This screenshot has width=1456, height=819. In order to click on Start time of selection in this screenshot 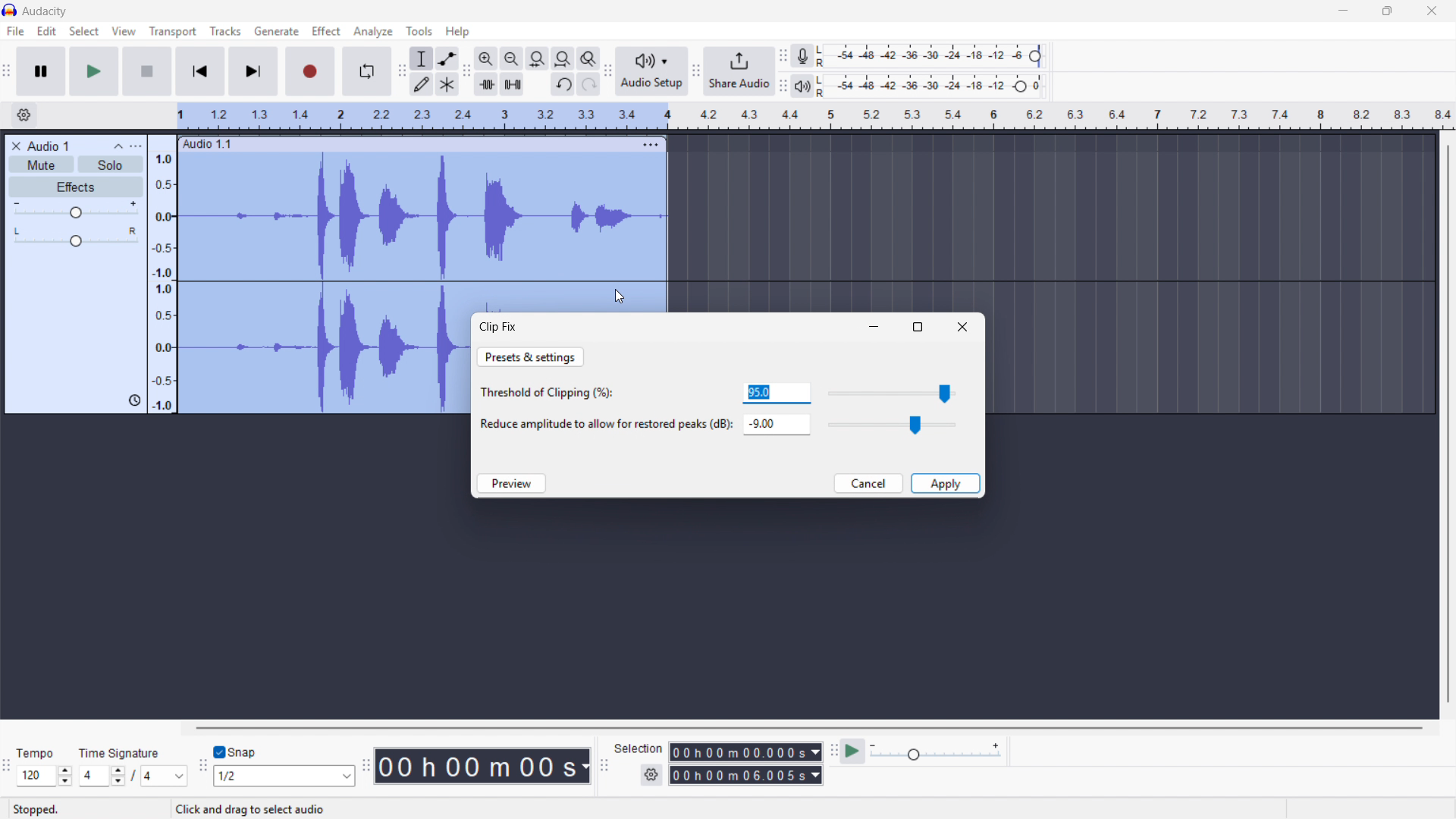, I will do `click(745, 752)`.